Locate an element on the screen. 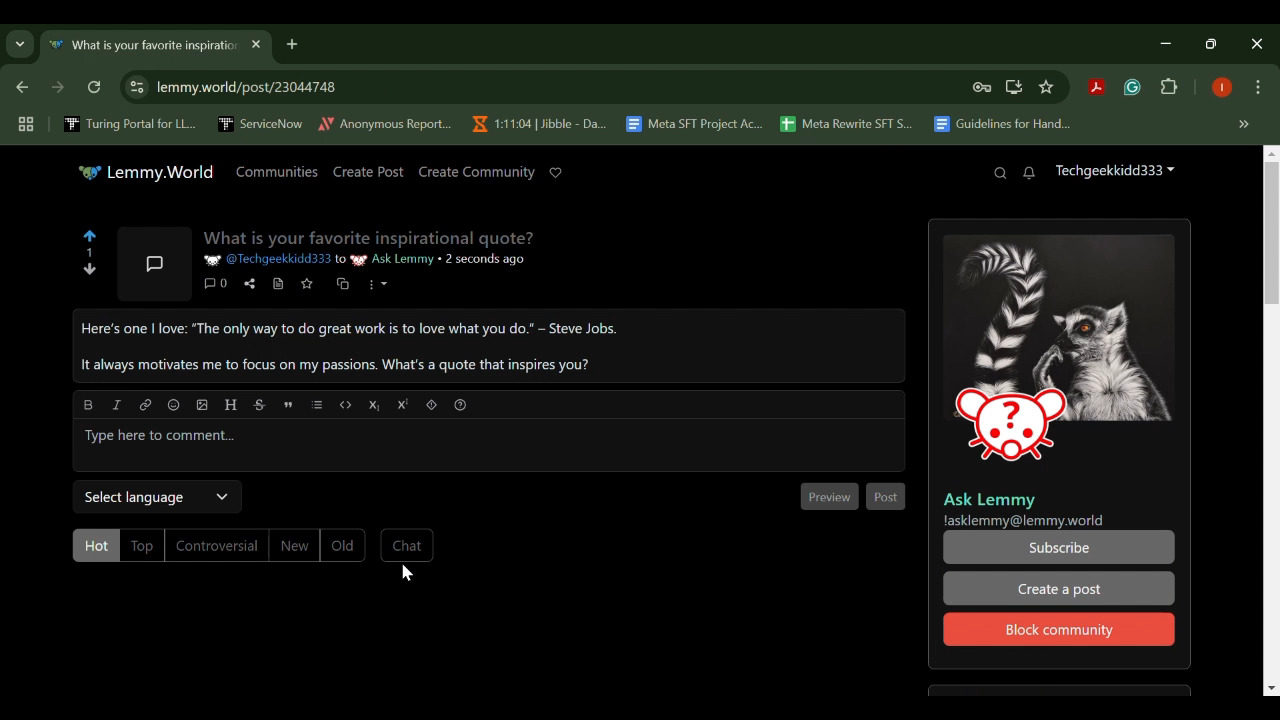 The image size is (1280, 720). emoji is located at coordinates (174, 405).